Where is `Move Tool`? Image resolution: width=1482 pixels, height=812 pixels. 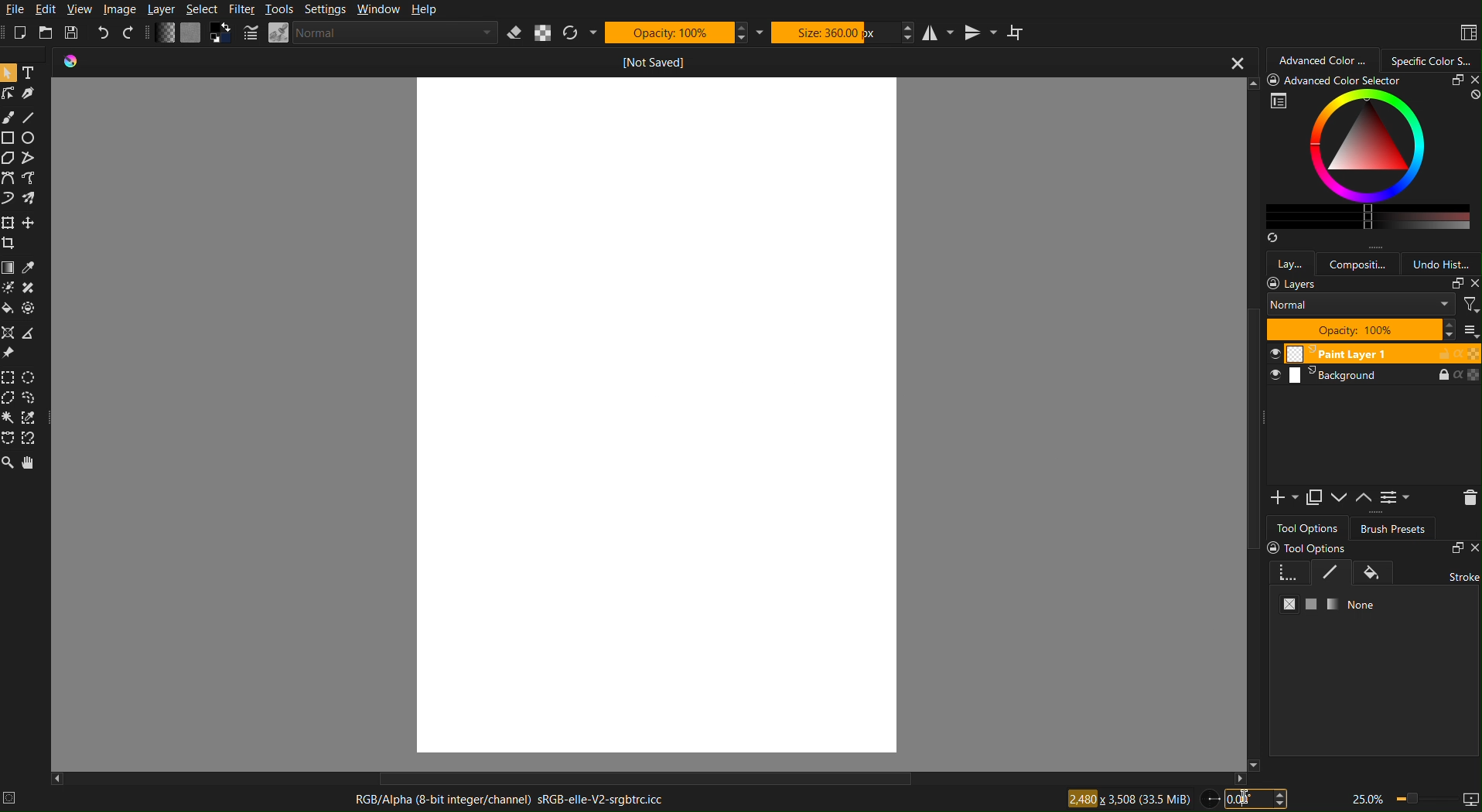
Move Tool is located at coordinates (28, 223).